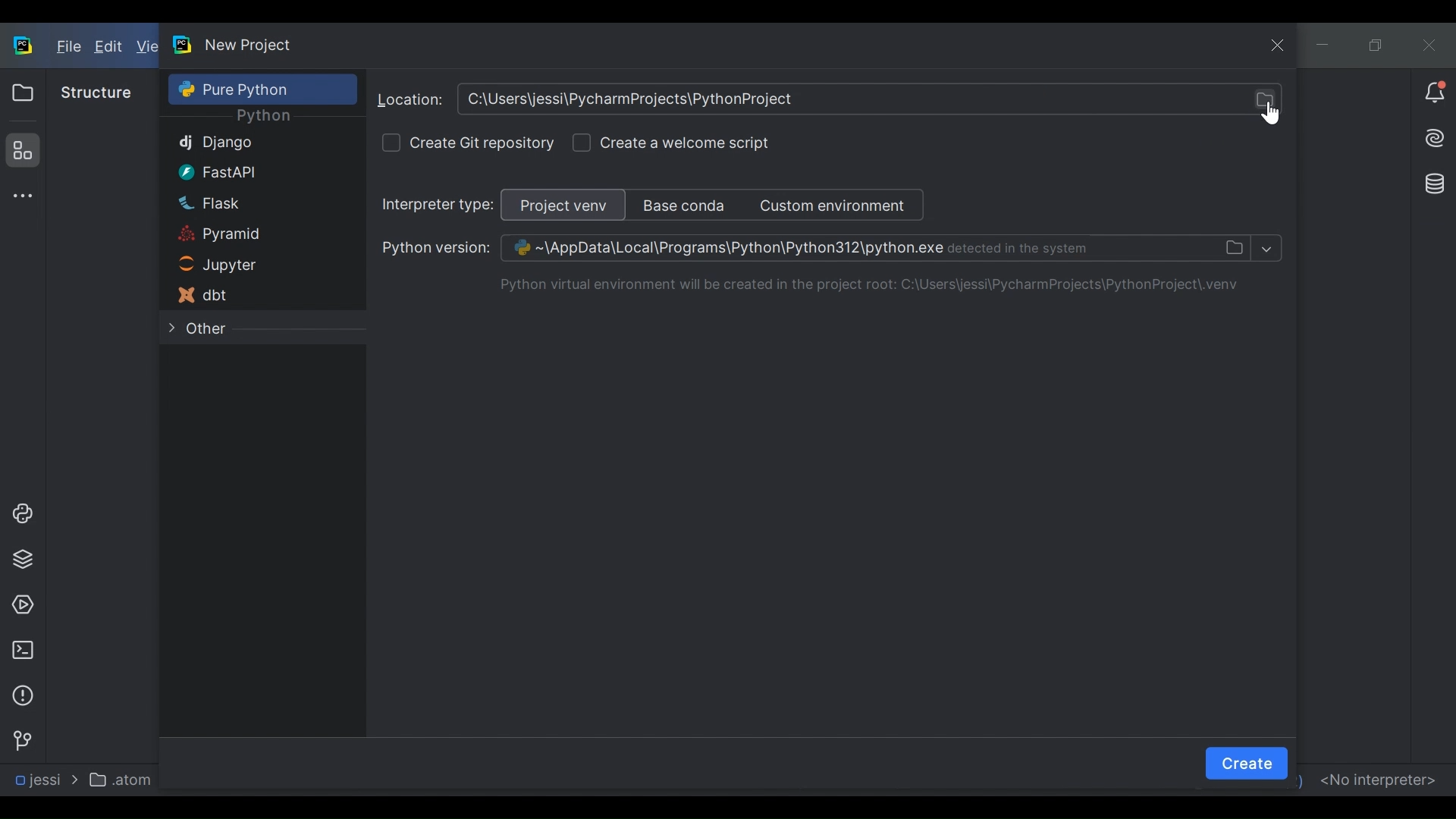 This screenshot has width=1456, height=819. Describe the element at coordinates (827, 99) in the screenshot. I see `Browse location` at that location.